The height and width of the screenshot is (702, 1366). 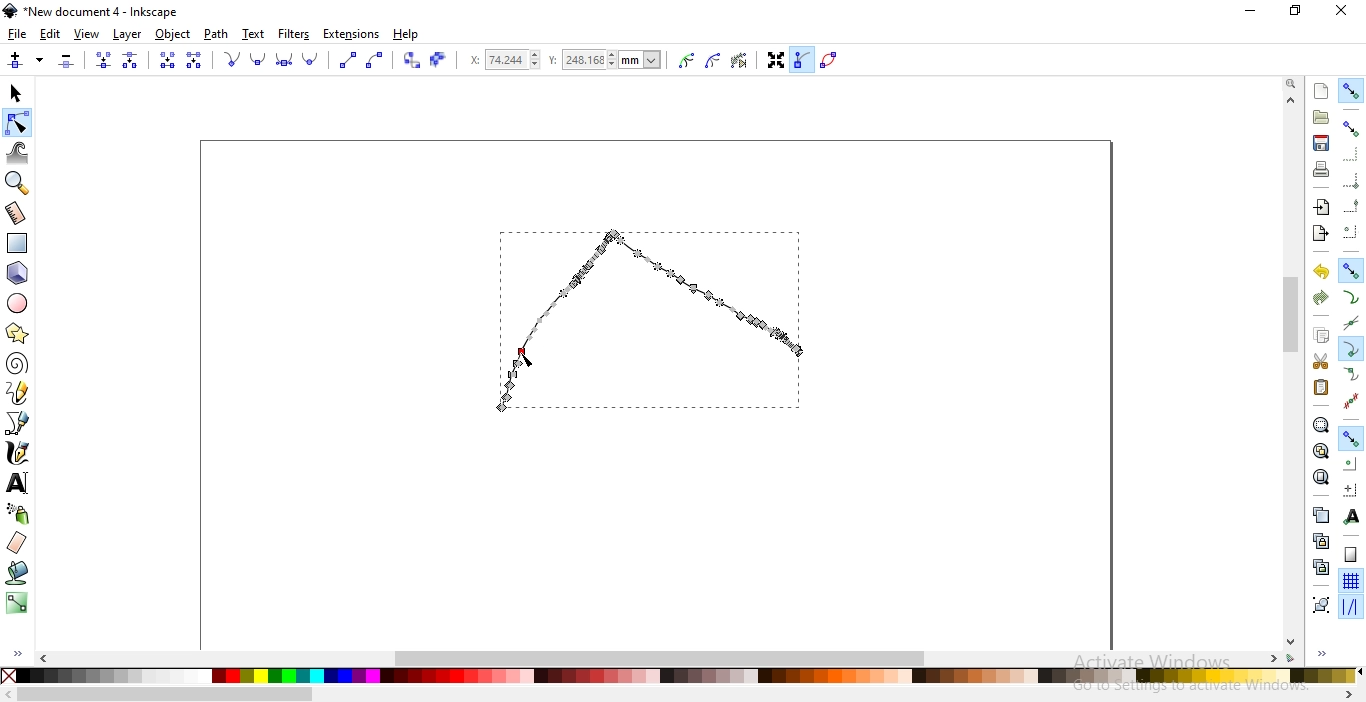 What do you see at coordinates (1348, 607) in the screenshot?
I see `snap guides` at bounding box center [1348, 607].